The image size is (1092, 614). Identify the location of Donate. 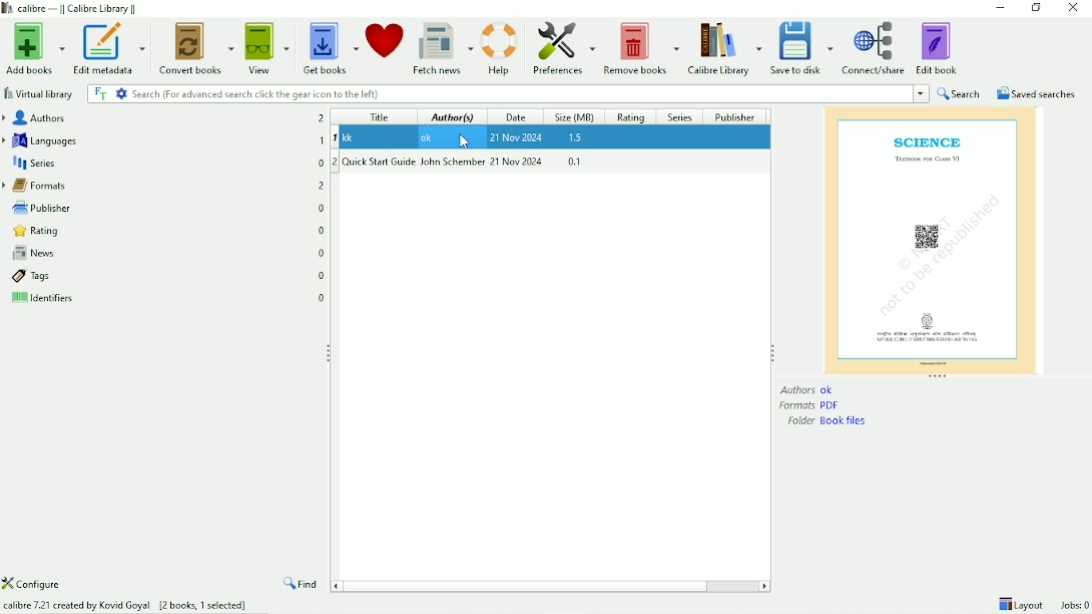
(384, 38).